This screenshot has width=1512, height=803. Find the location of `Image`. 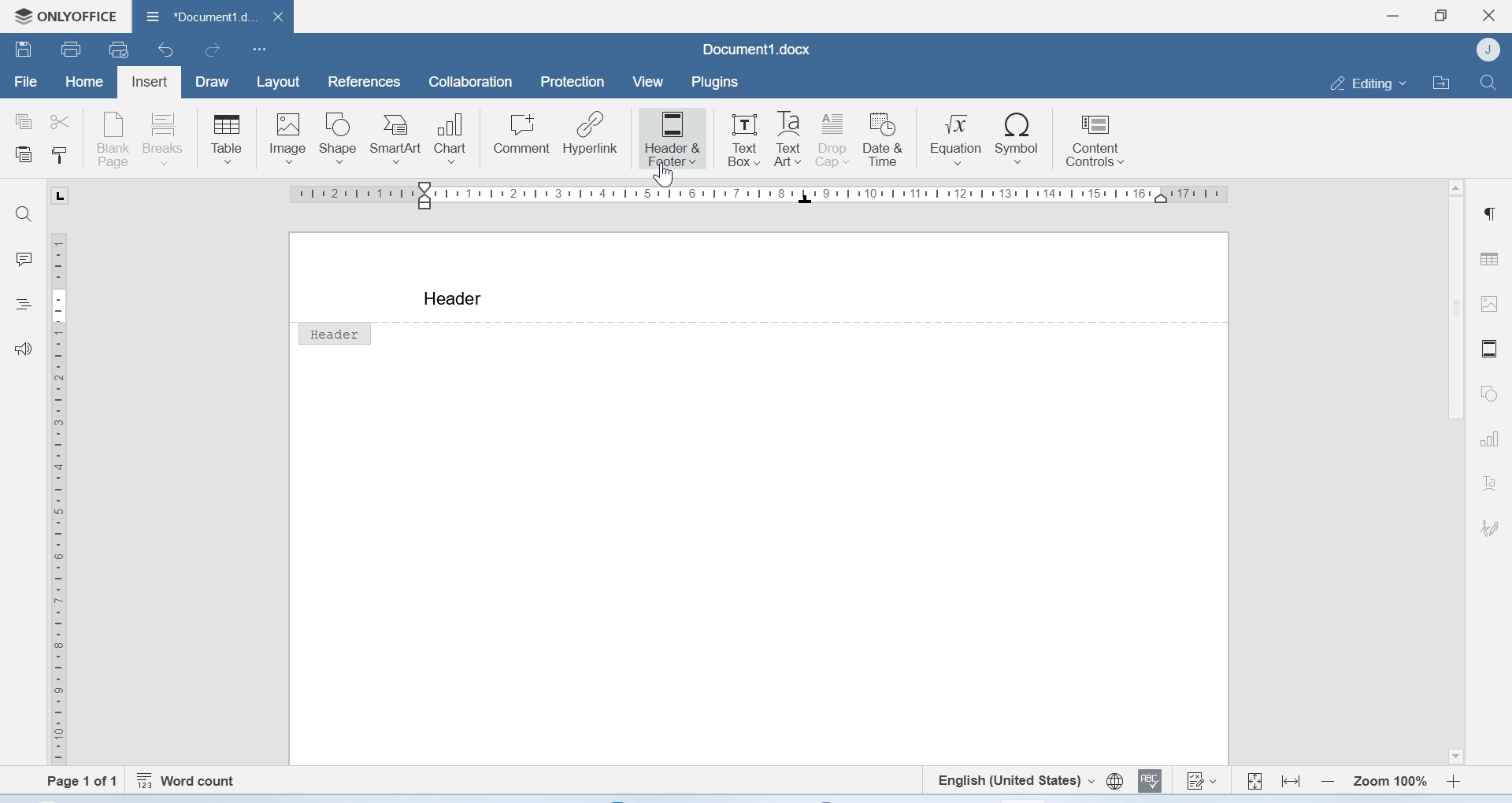

Image is located at coordinates (1492, 306).